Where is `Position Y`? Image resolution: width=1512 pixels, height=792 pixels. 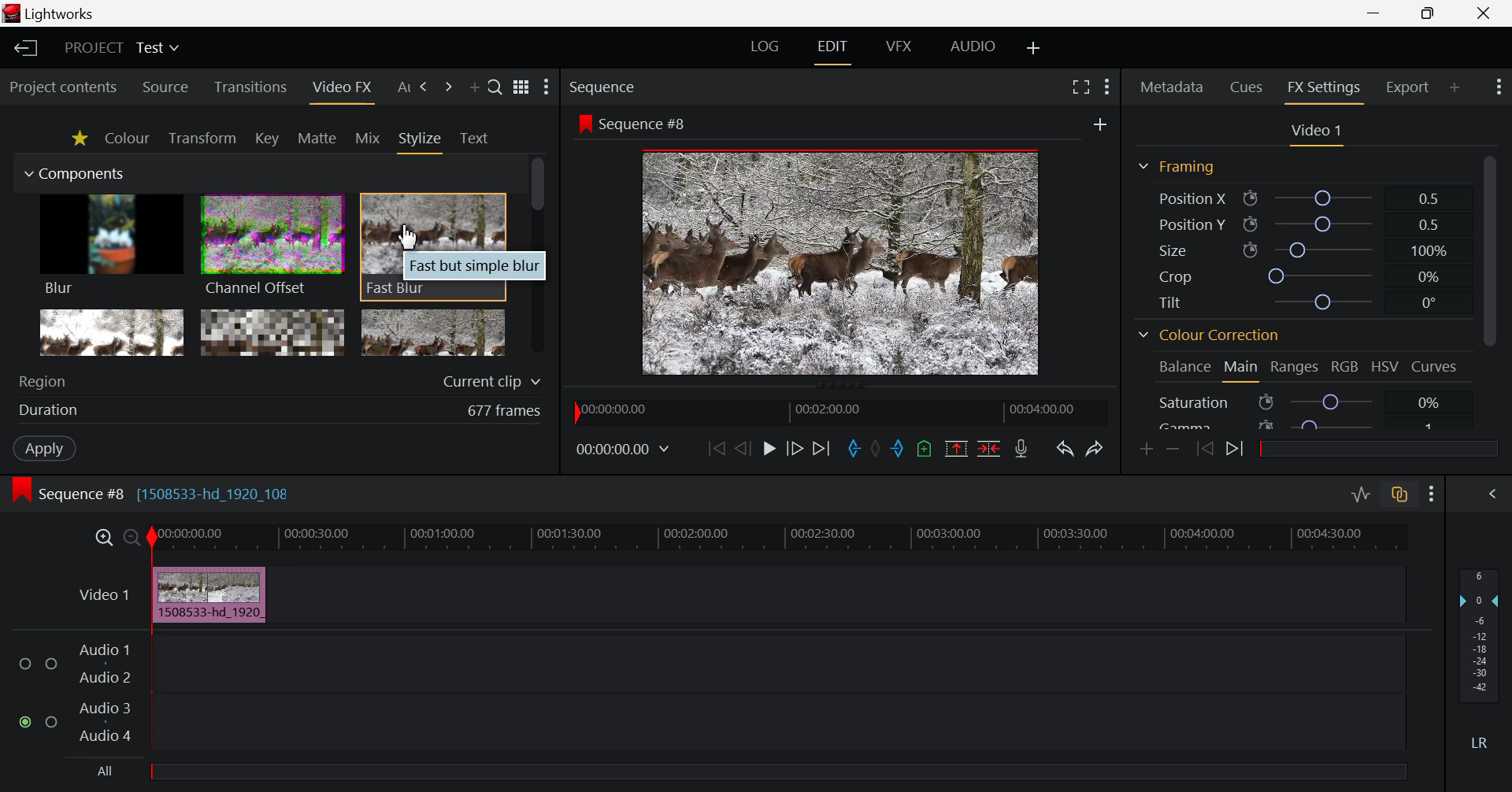 Position Y is located at coordinates (1304, 224).